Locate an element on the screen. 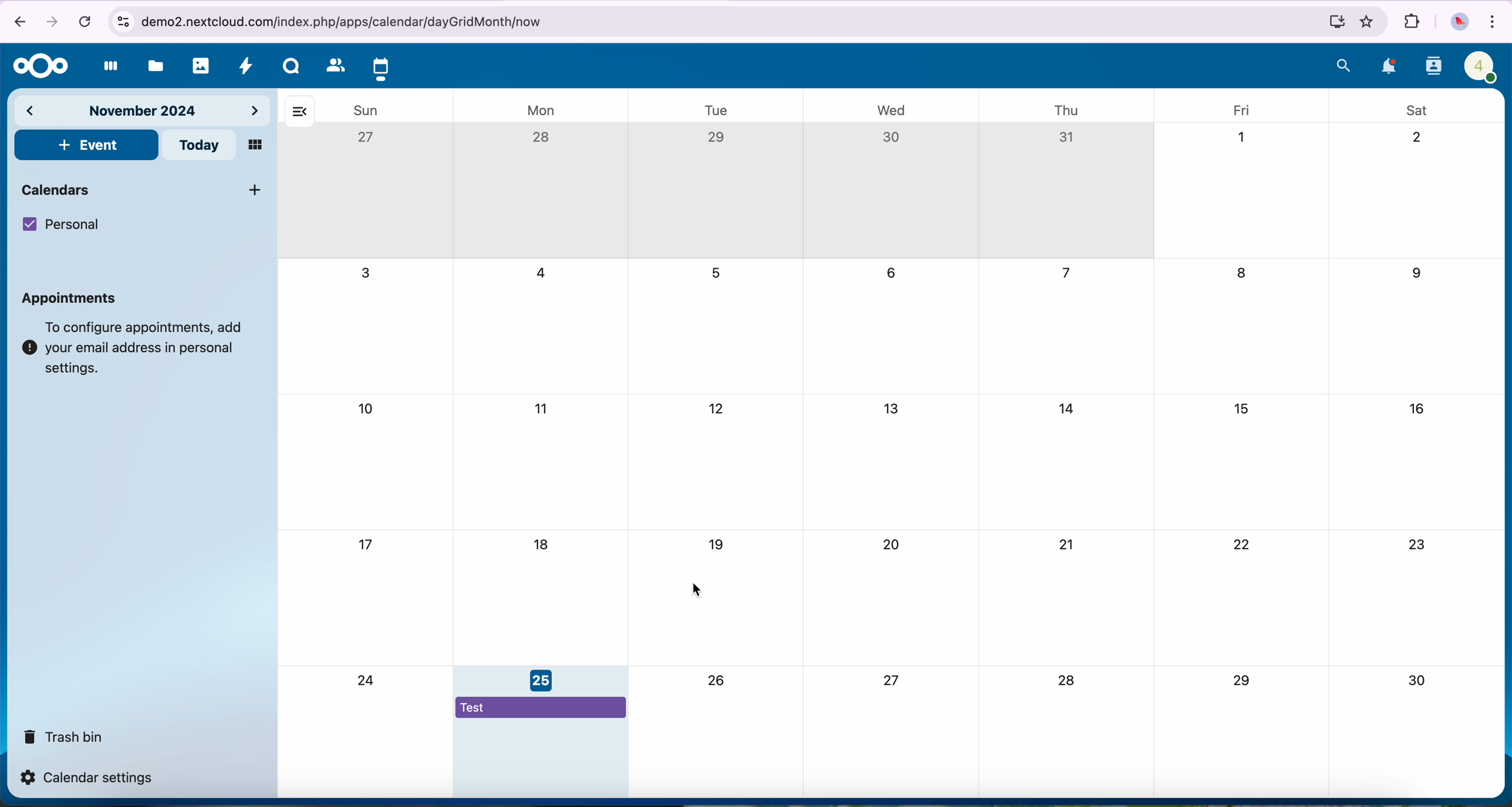 This screenshot has height=807, width=1512. 18 is located at coordinates (539, 545).